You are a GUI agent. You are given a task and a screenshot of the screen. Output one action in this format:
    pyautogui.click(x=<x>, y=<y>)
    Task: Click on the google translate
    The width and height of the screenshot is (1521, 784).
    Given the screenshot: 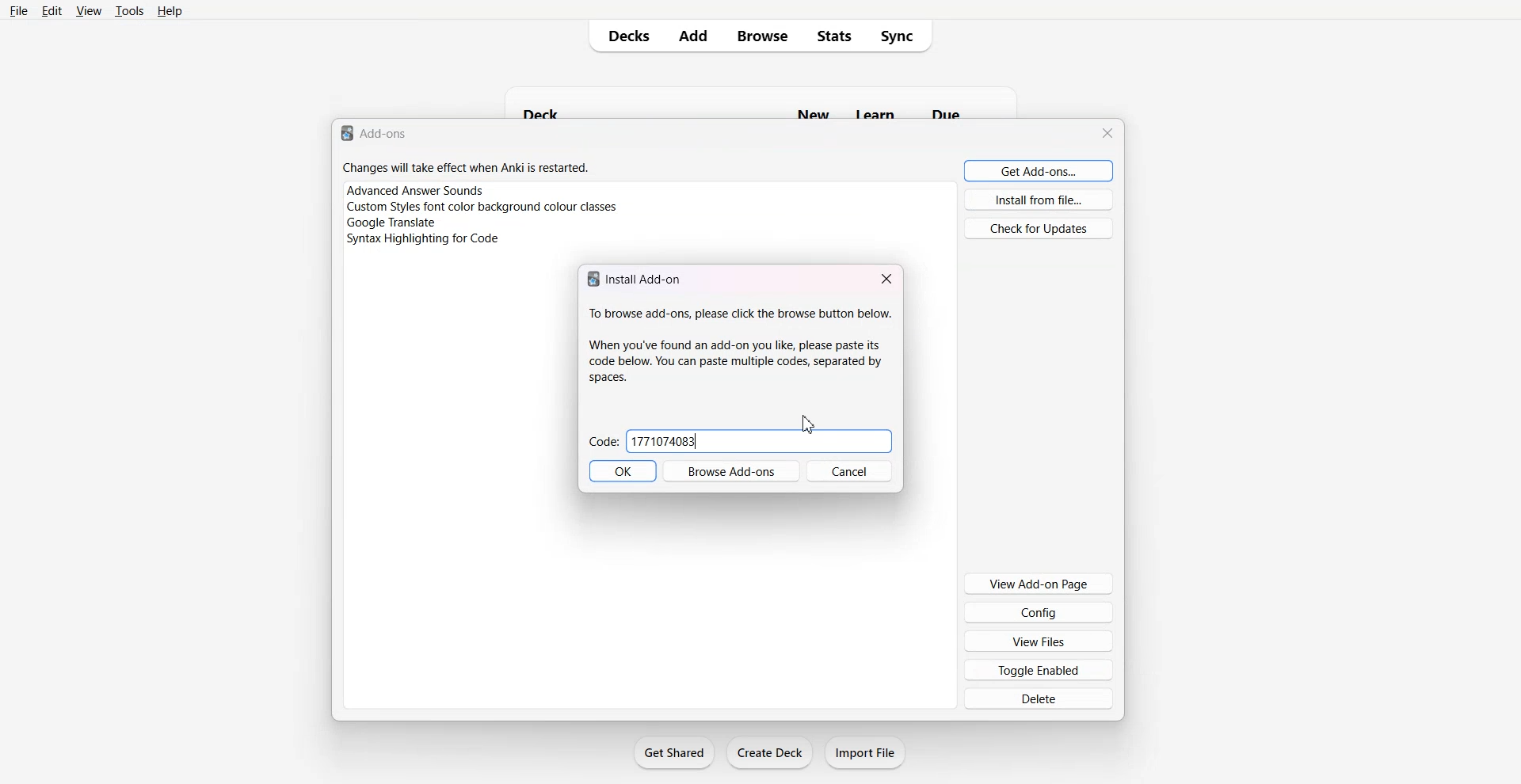 What is the action you would take?
    pyautogui.click(x=390, y=223)
    